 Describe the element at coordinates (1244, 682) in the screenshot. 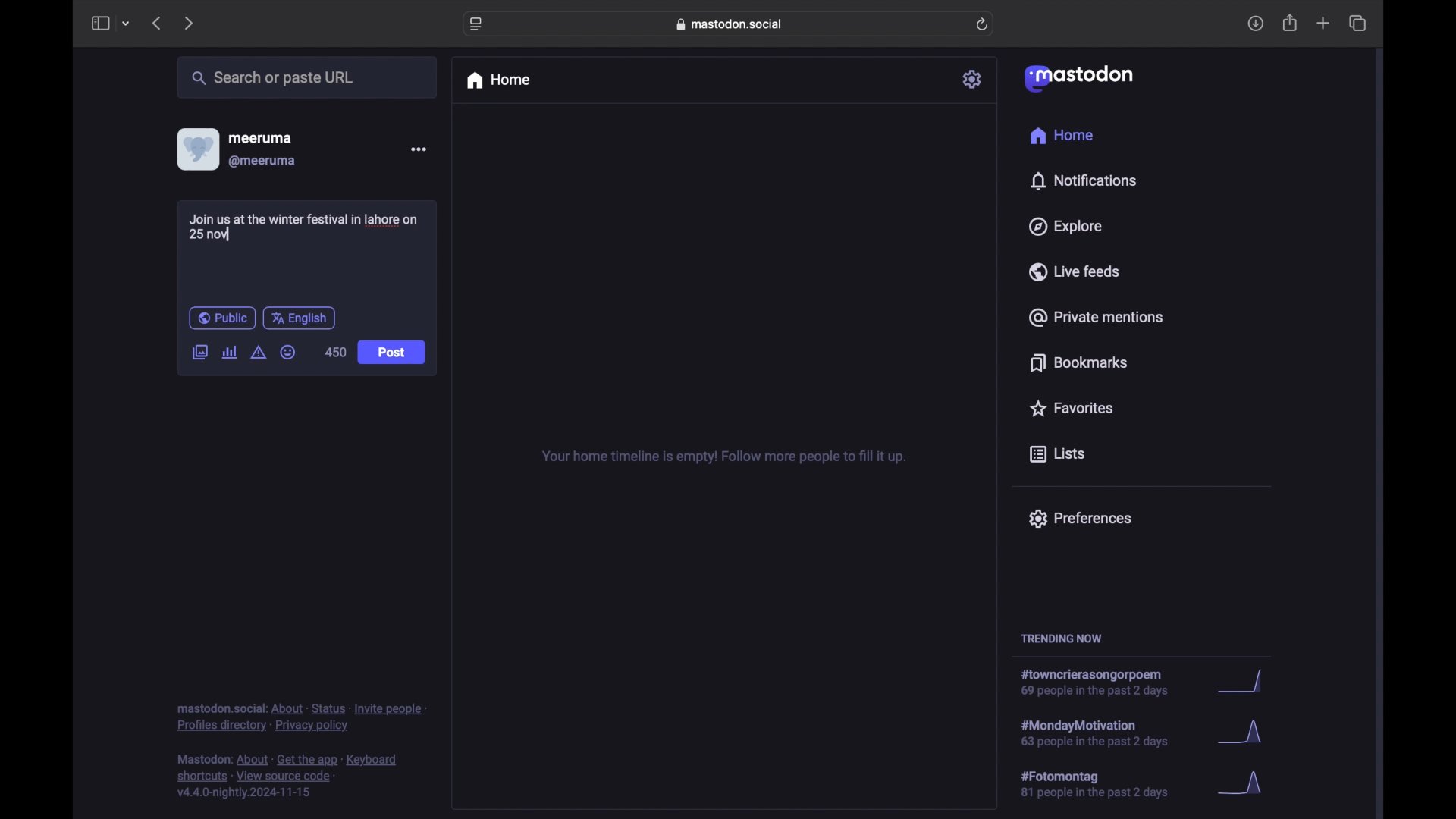

I see `graph` at that location.